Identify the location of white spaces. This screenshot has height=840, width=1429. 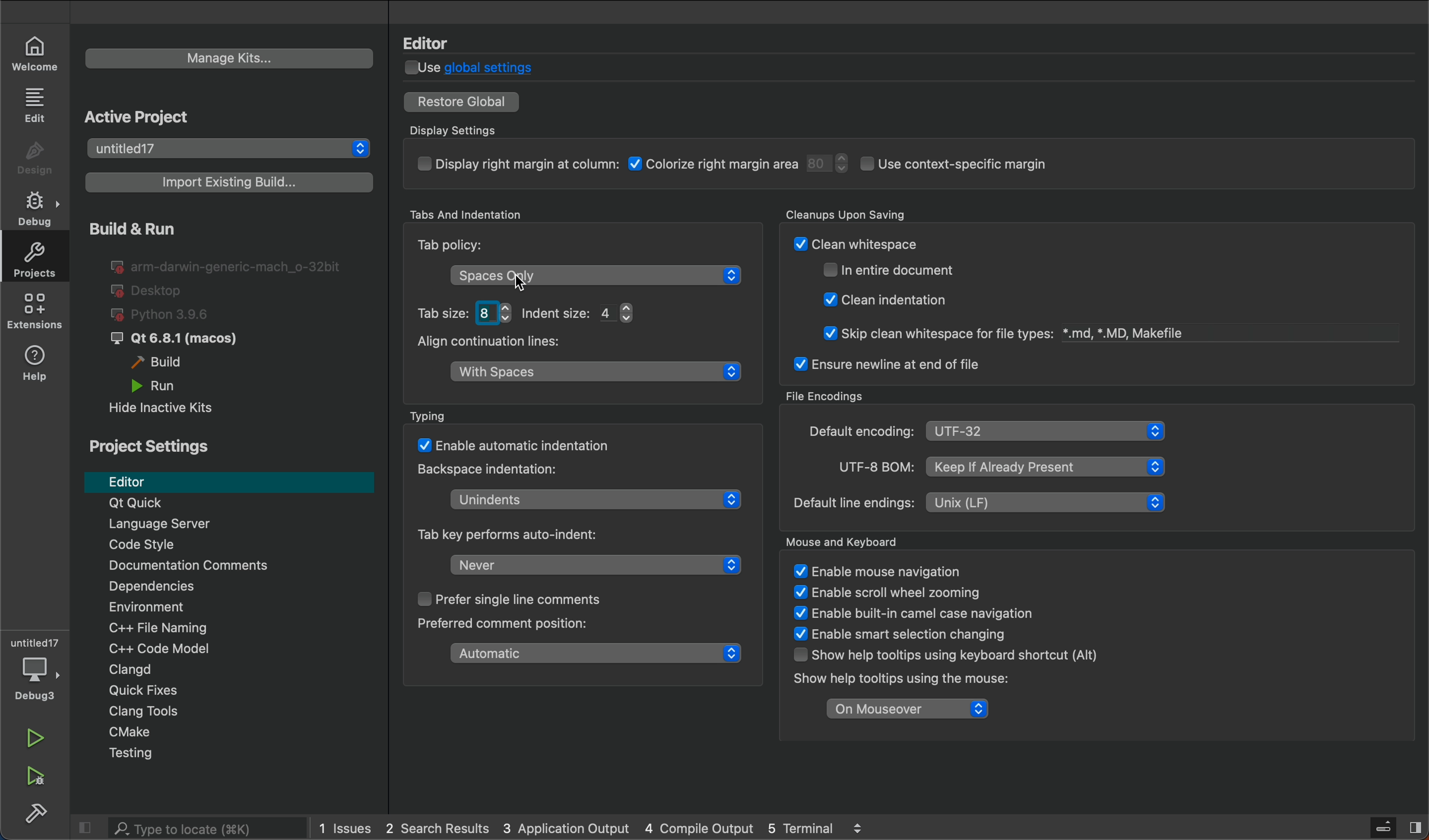
(597, 375).